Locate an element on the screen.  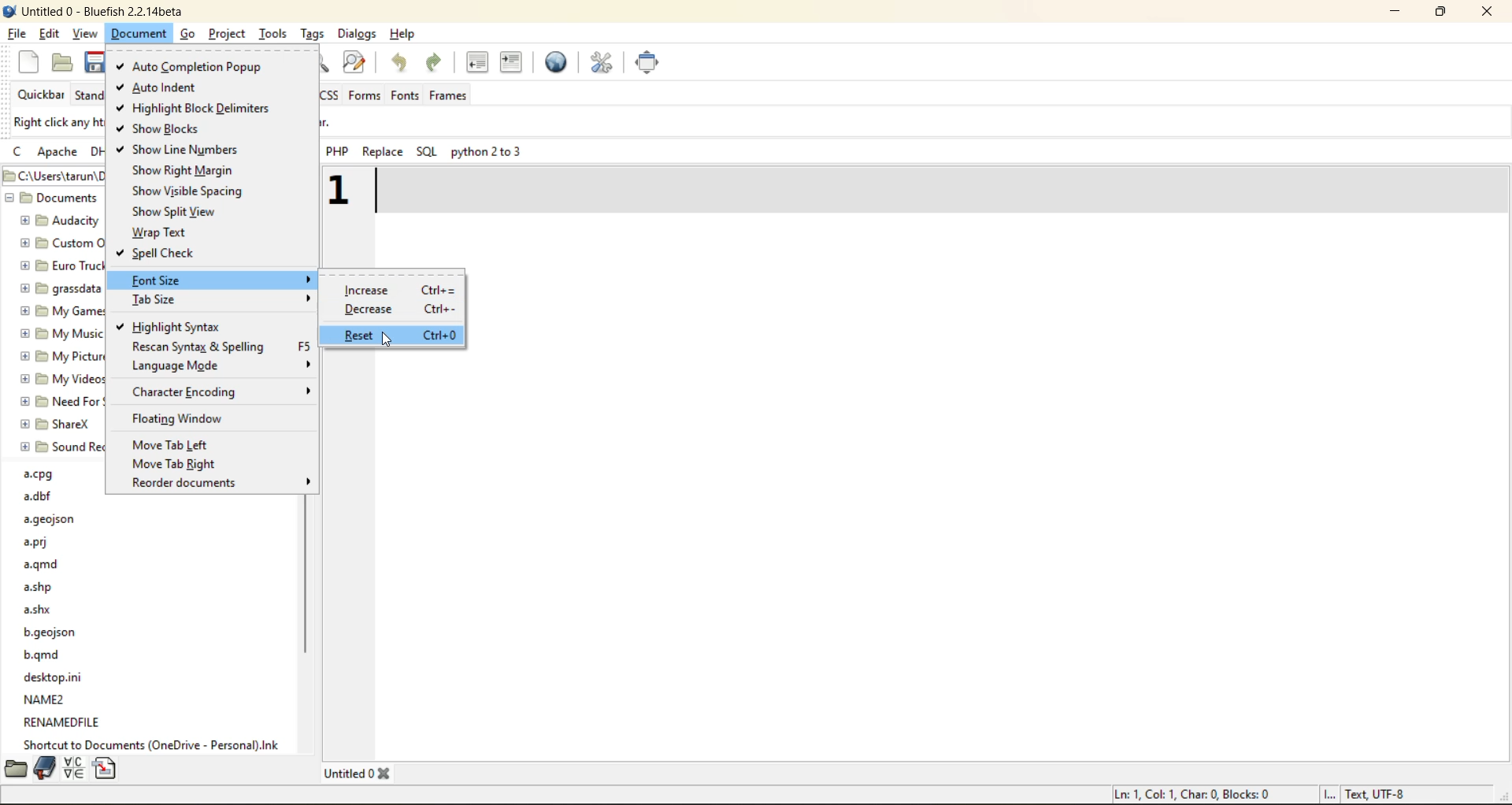
name2 is located at coordinates (46, 699).